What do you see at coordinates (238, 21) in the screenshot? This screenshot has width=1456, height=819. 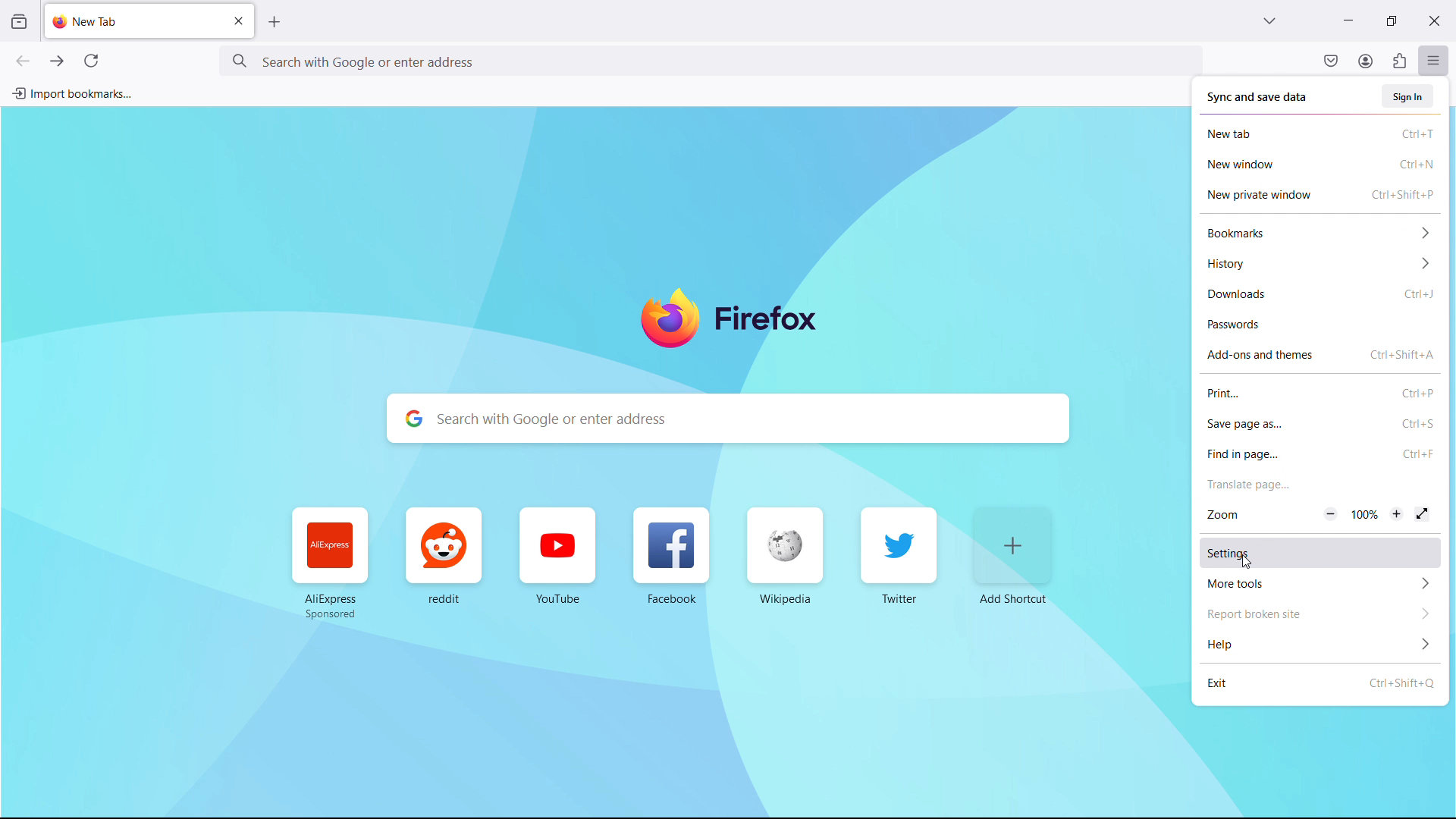 I see `close tab` at bounding box center [238, 21].